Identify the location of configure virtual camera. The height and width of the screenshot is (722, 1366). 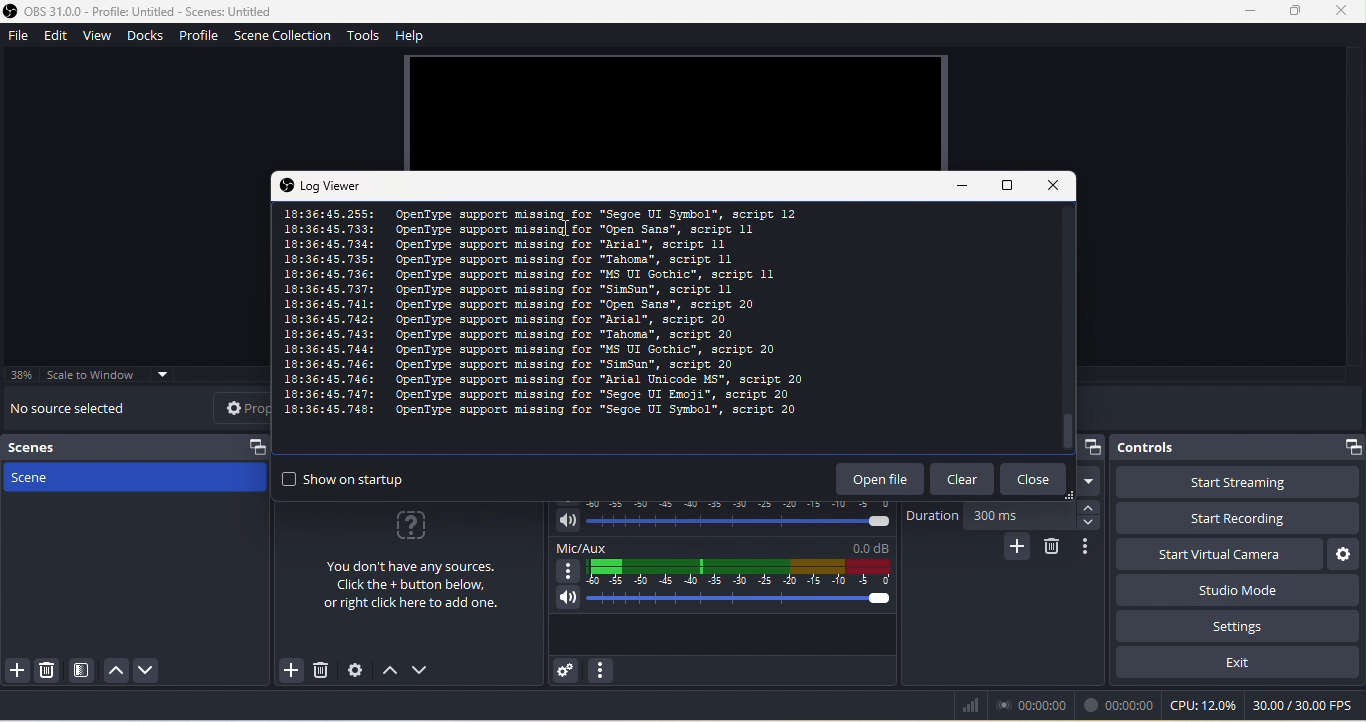
(1345, 555).